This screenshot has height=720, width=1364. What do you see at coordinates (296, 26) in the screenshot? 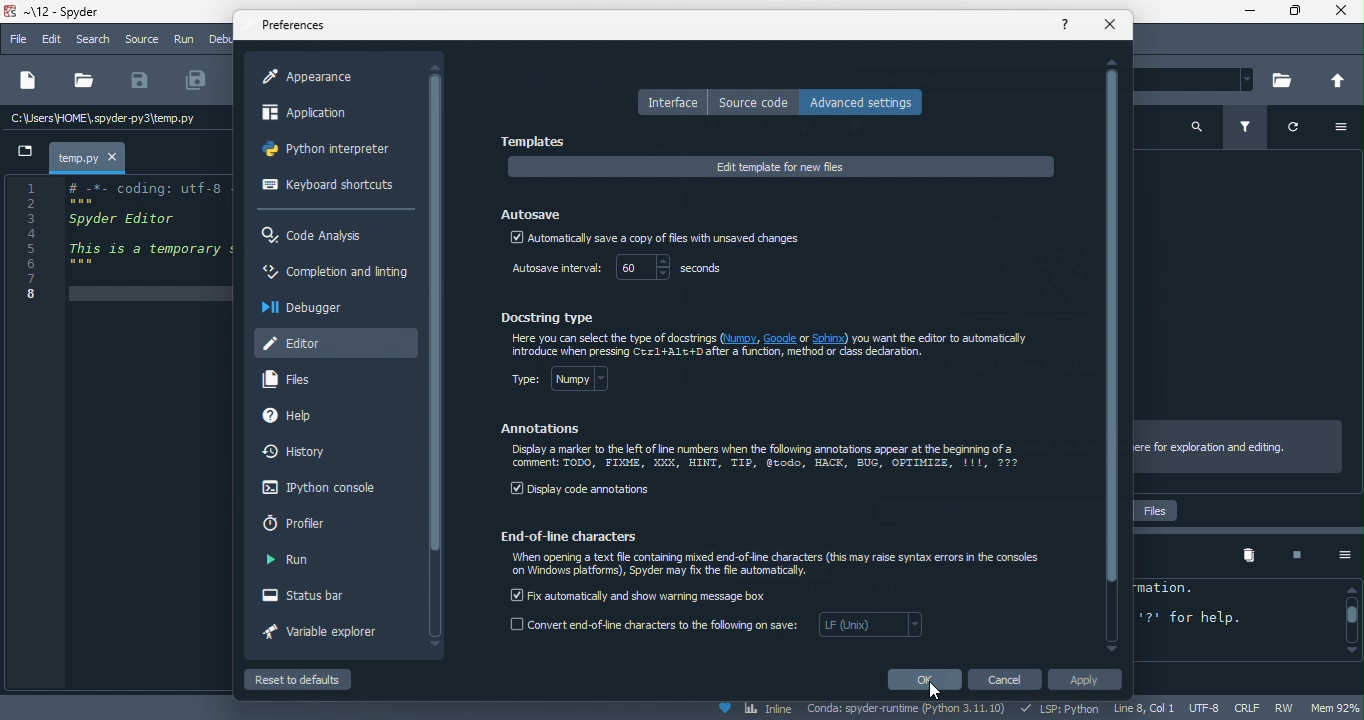
I see `preferences` at bounding box center [296, 26].